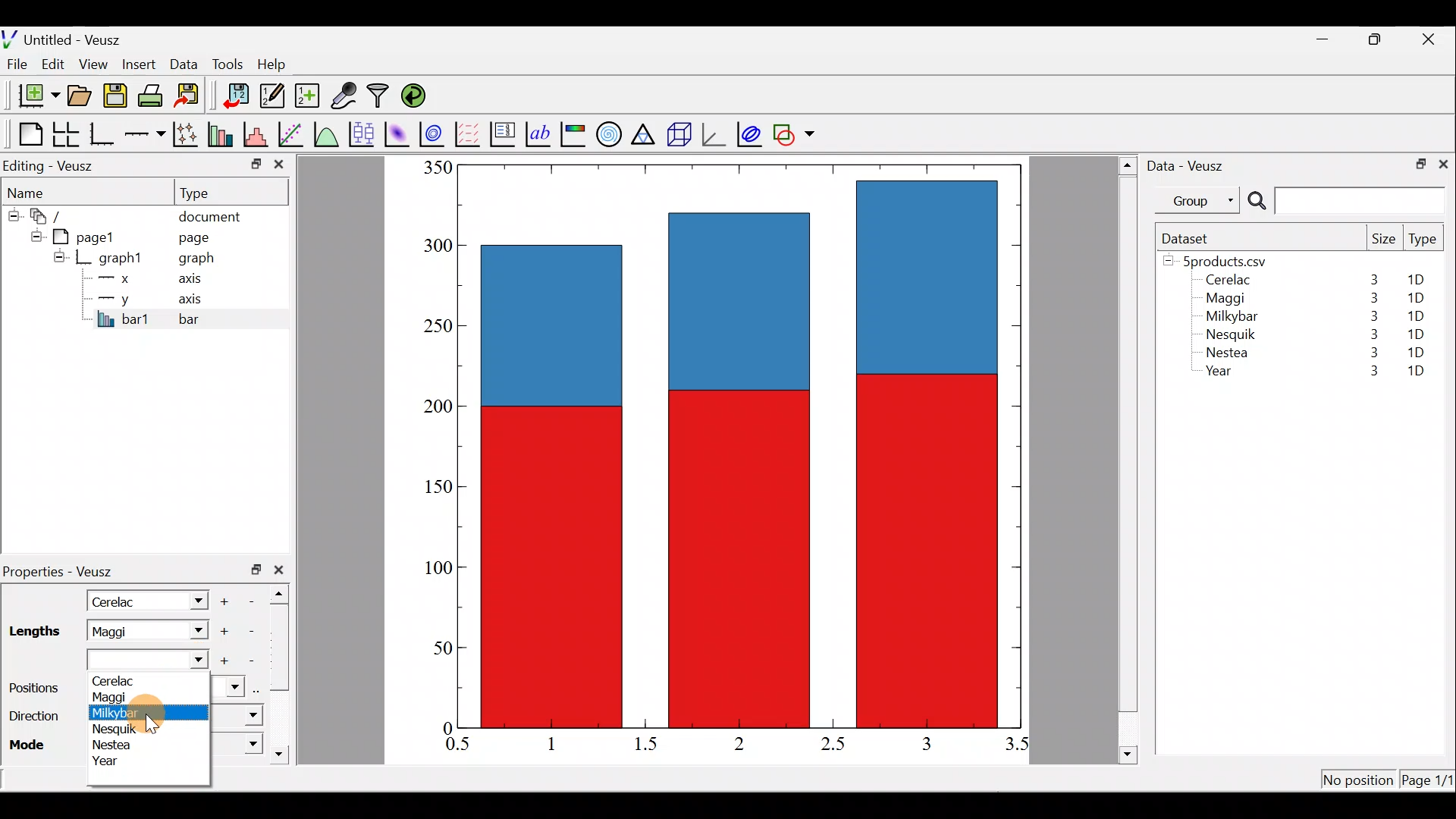  I want to click on hide, so click(59, 256).